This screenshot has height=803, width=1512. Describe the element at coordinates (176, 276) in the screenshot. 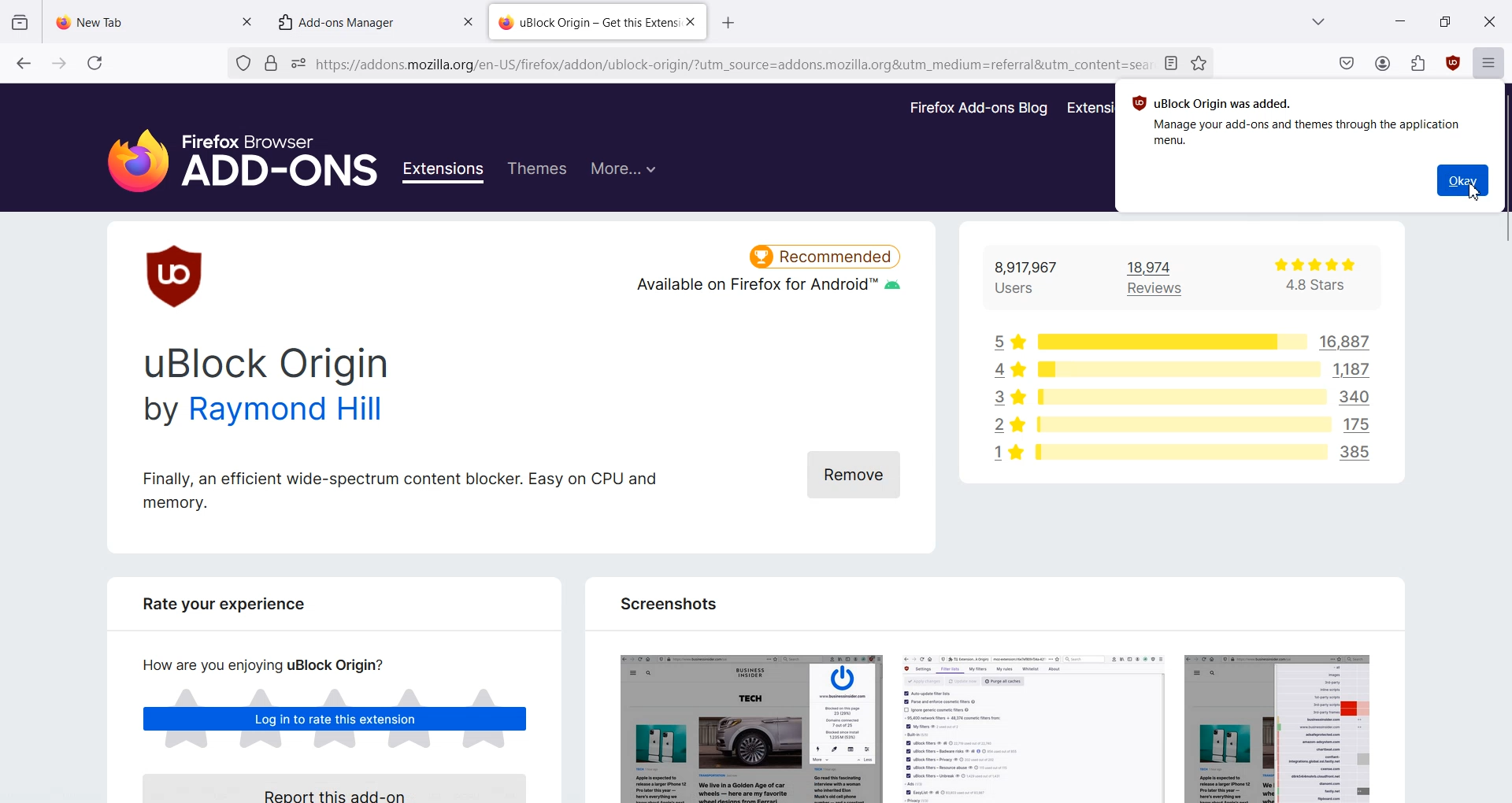

I see `uBlock origin Logo` at that location.